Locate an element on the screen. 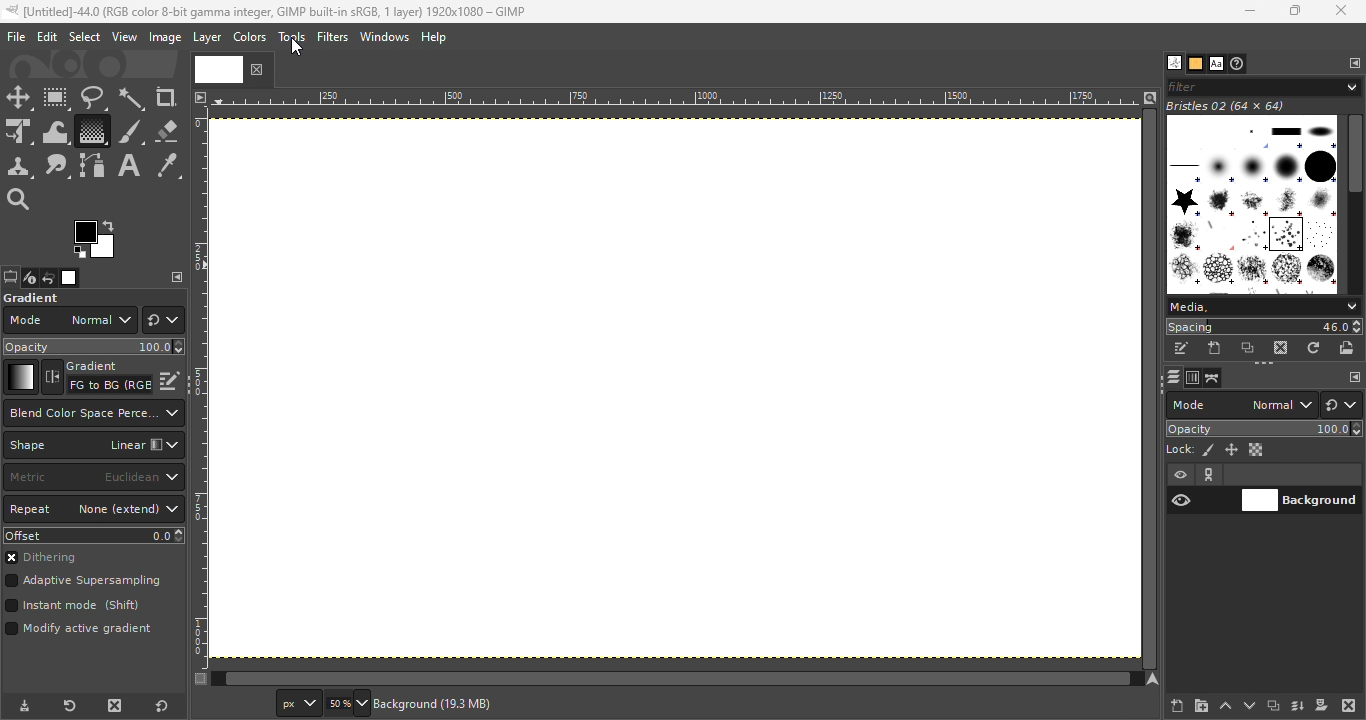 Image resolution: width=1366 pixels, height=720 pixels. Lower this layer one step in the layer stack is located at coordinates (1249, 706).